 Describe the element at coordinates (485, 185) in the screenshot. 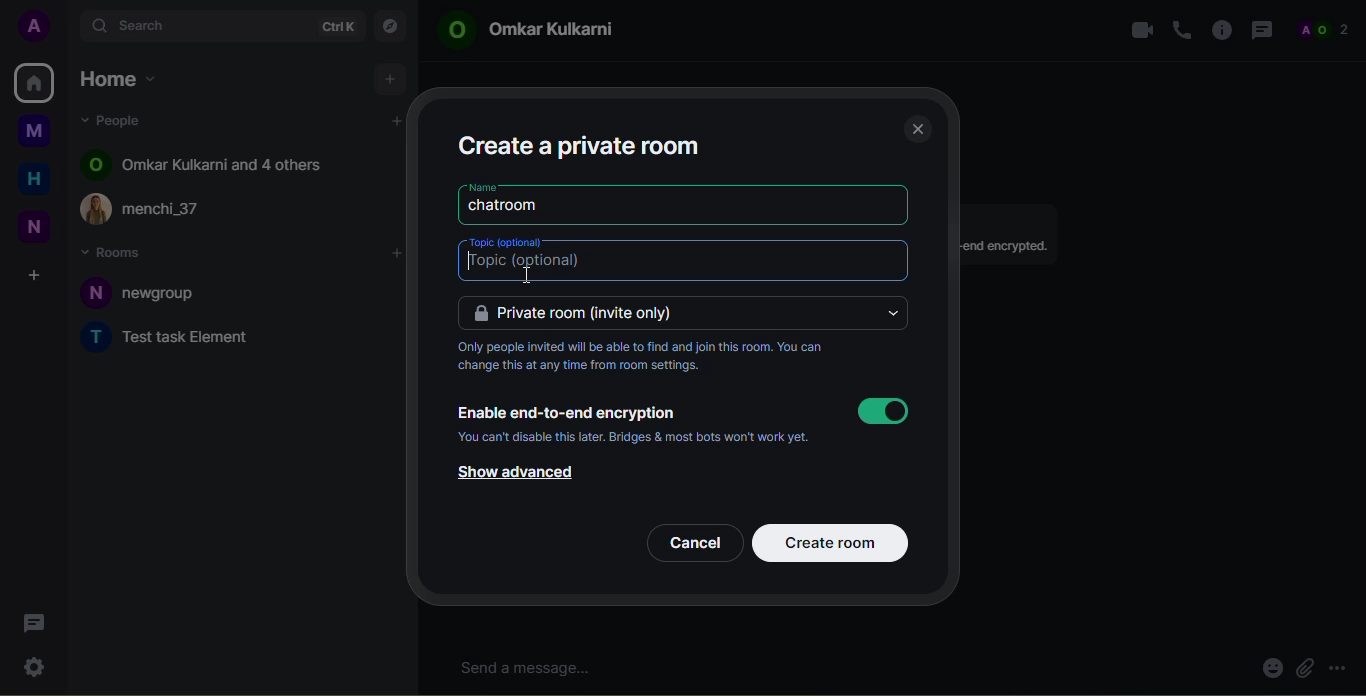

I see `name` at that location.